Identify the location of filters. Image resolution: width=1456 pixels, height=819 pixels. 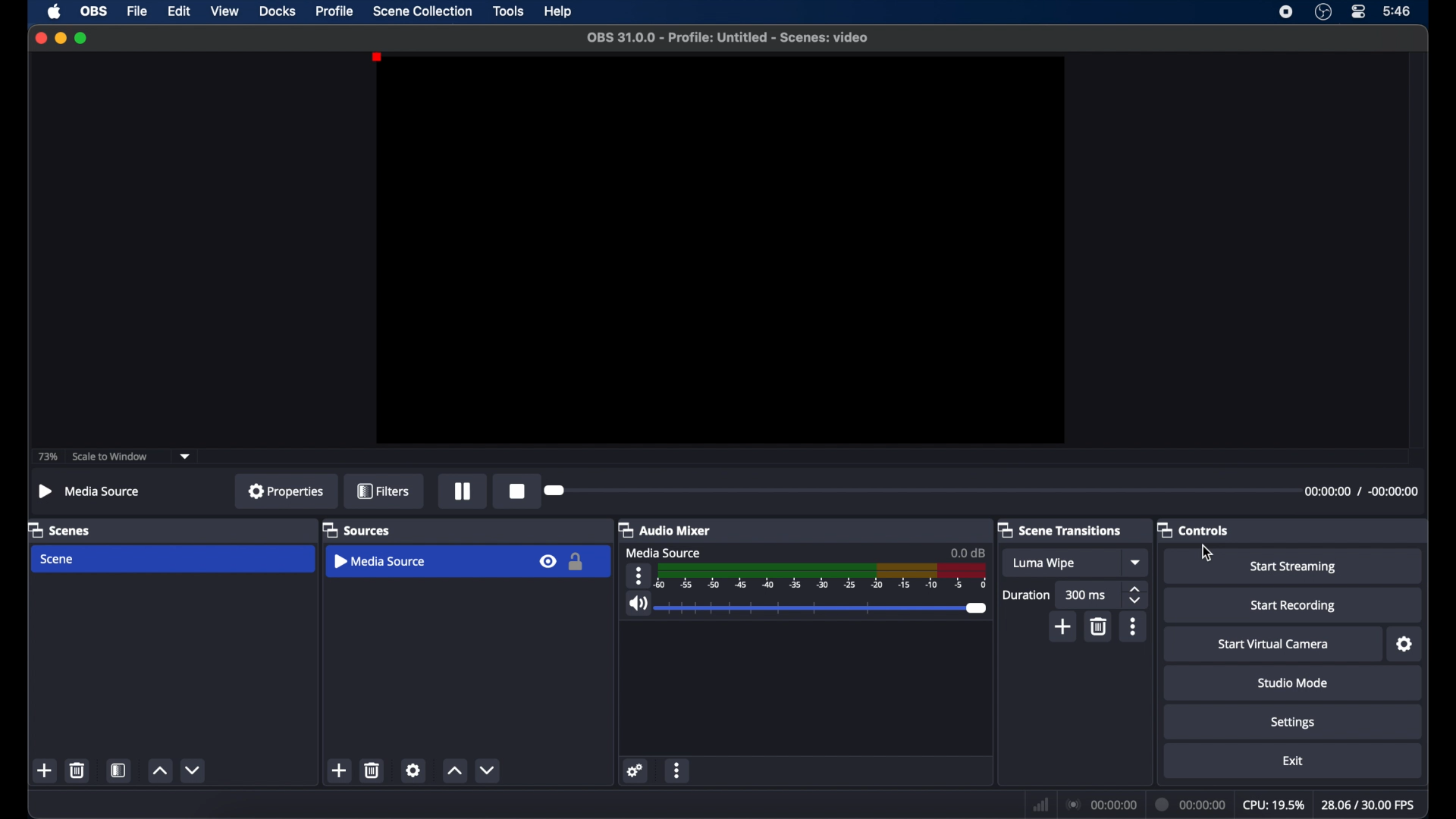
(384, 491).